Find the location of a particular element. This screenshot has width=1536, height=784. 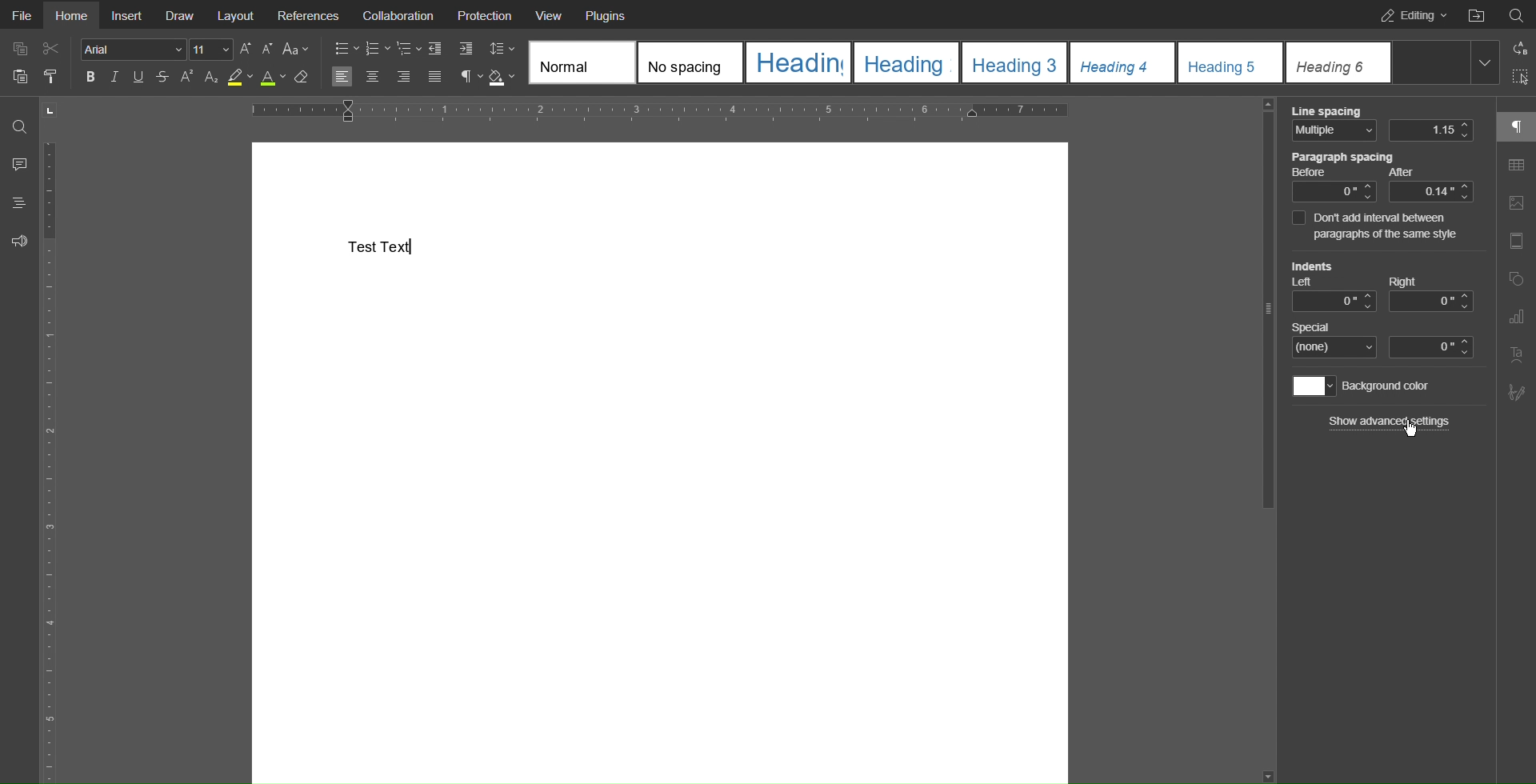

Open File Location is located at coordinates (1476, 14).